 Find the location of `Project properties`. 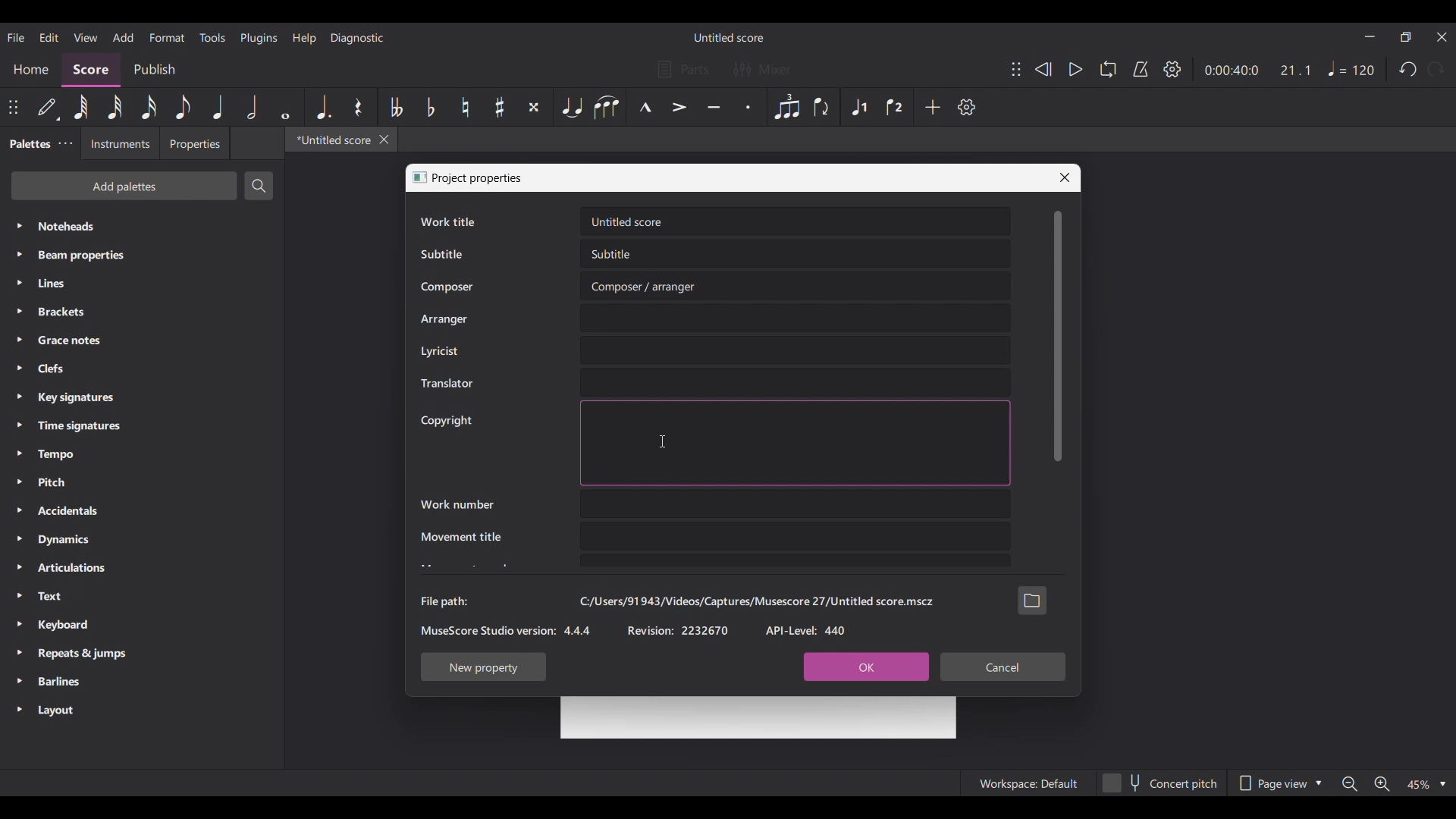

Project properties is located at coordinates (479, 178).